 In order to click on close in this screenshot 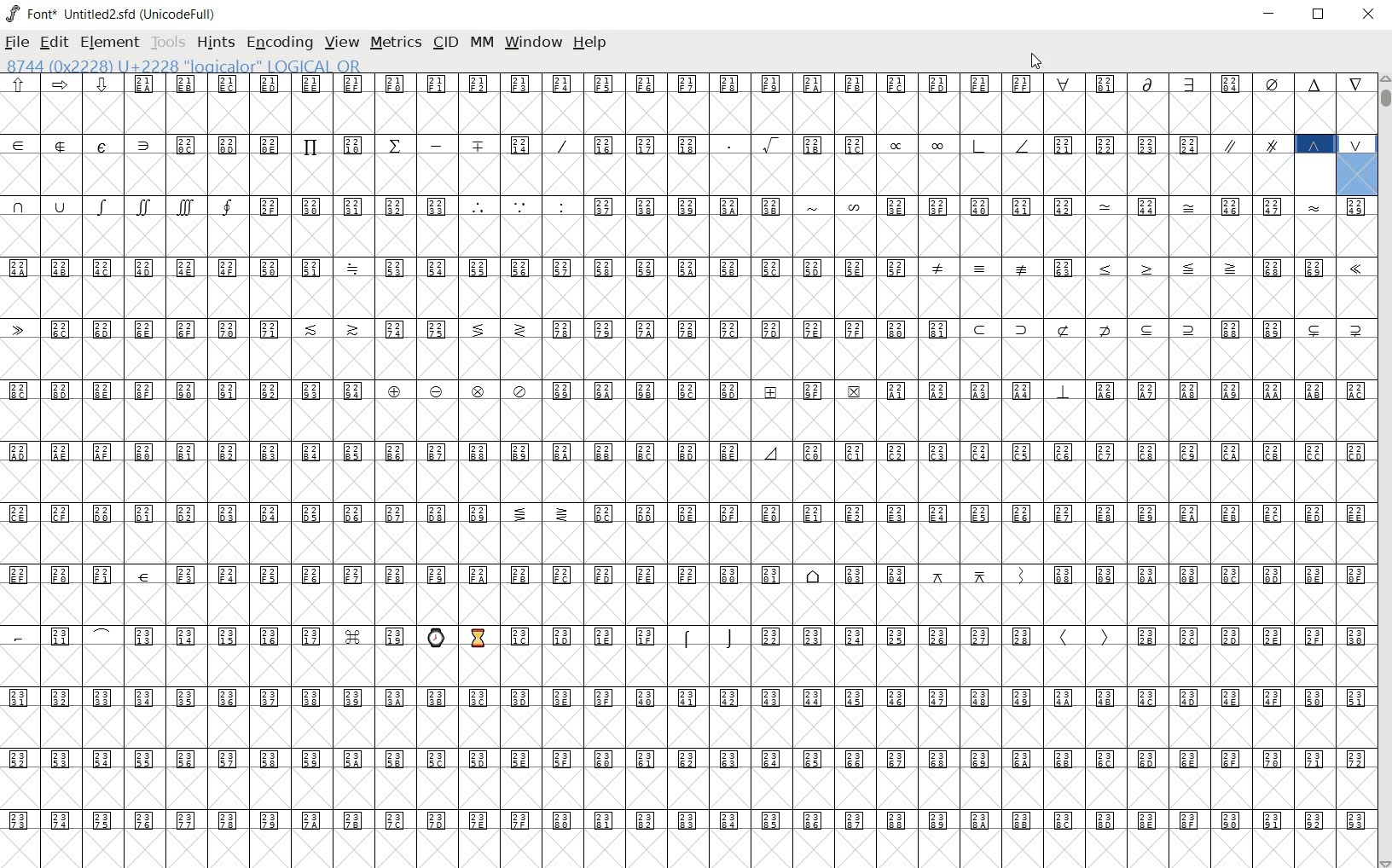, I will do `click(1368, 14)`.